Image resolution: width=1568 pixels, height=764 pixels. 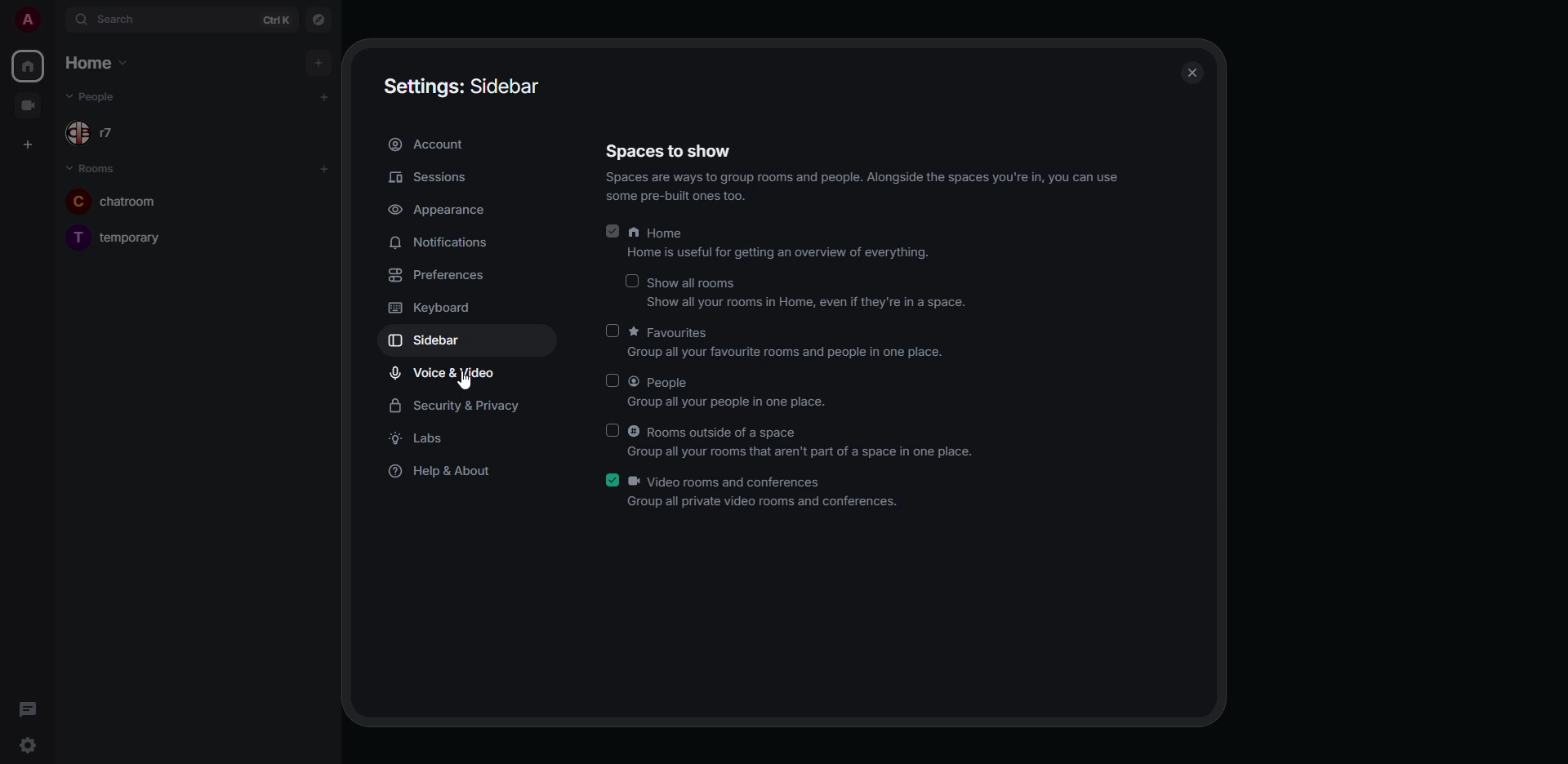 What do you see at coordinates (104, 98) in the screenshot?
I see `people` at bounding box center [104, 98].